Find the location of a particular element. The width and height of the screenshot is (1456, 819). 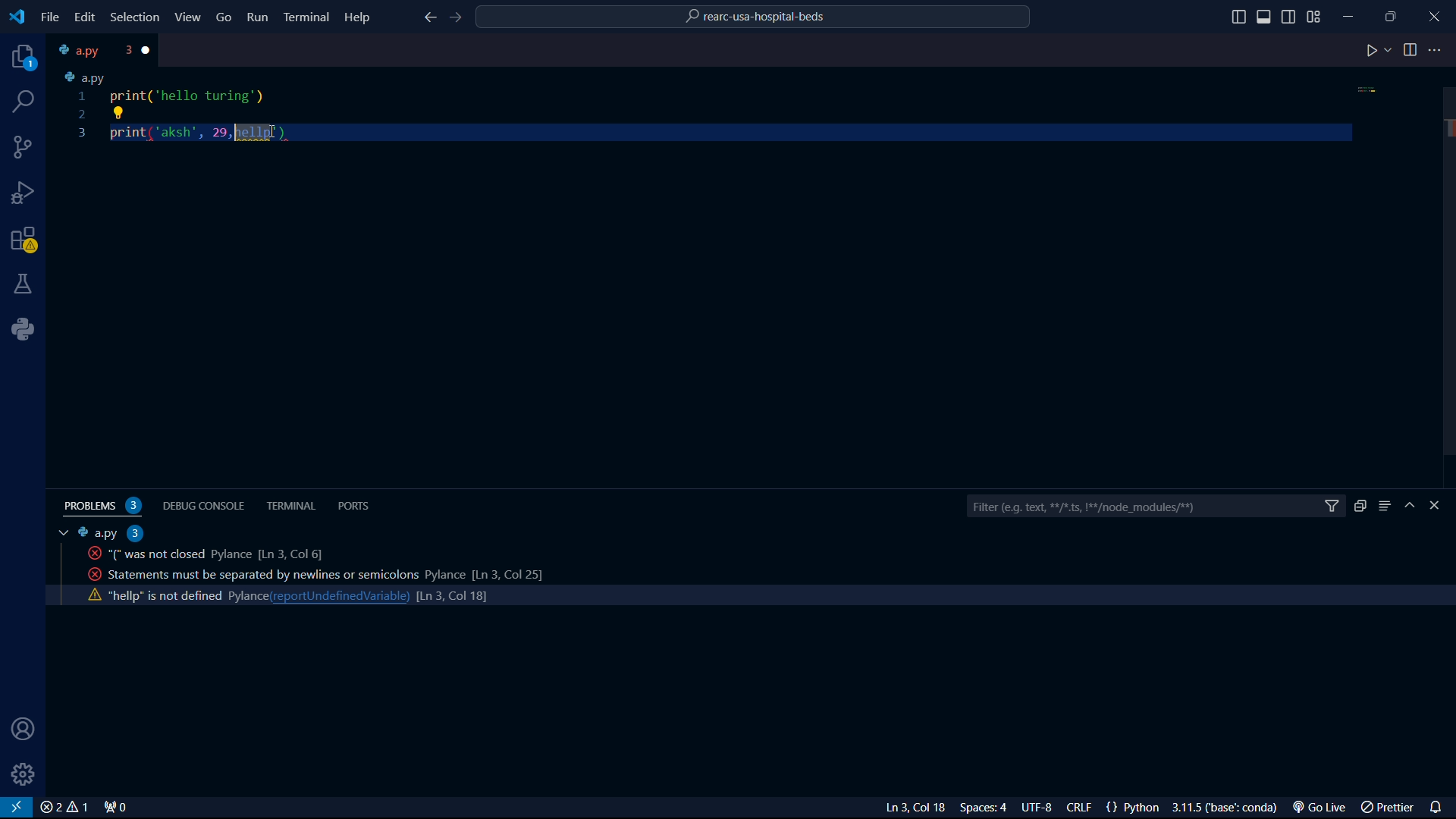

grid view is located at coordinates (1314, 17).